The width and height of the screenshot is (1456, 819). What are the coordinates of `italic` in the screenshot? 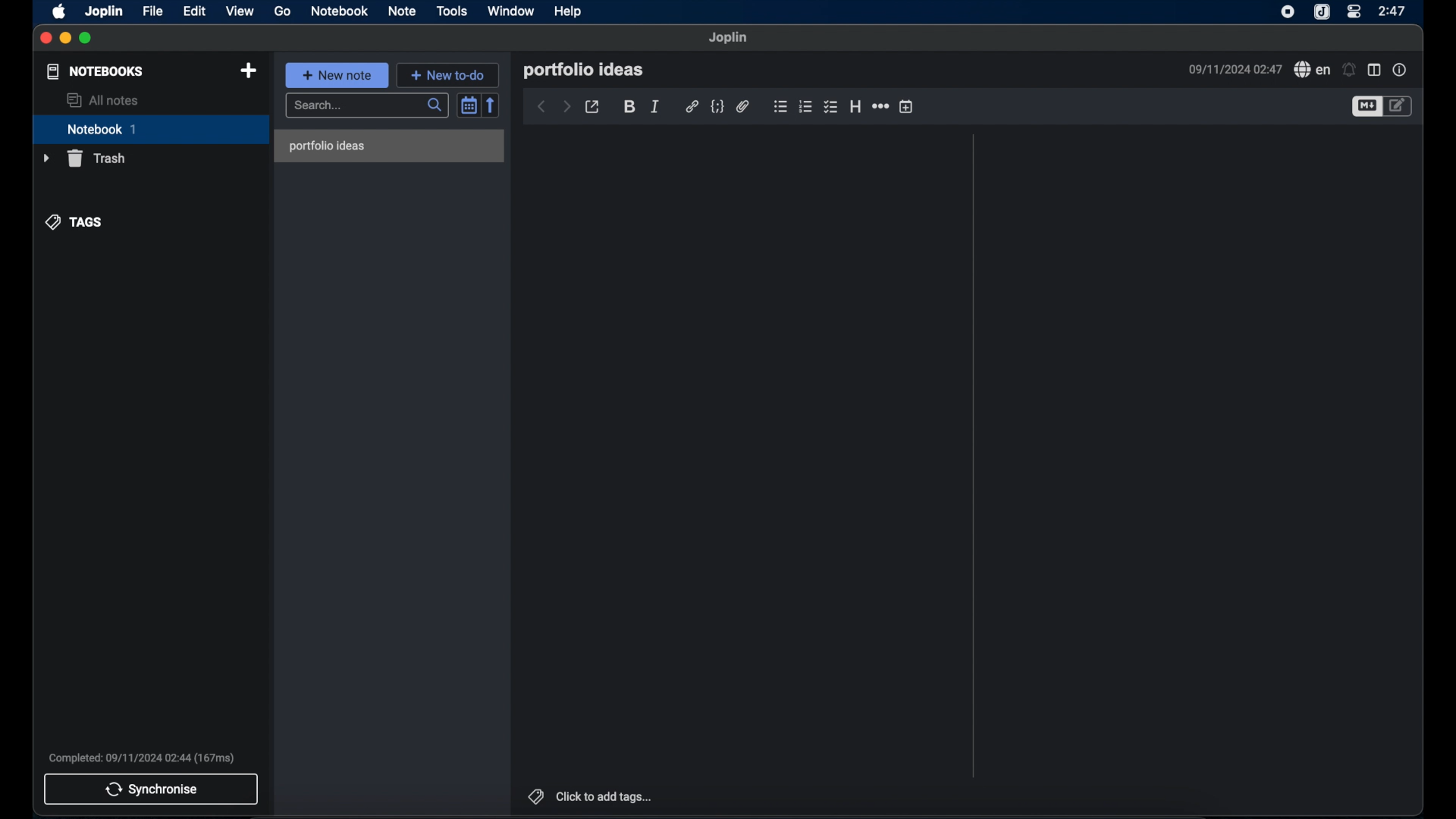 It's located at (653, 107).